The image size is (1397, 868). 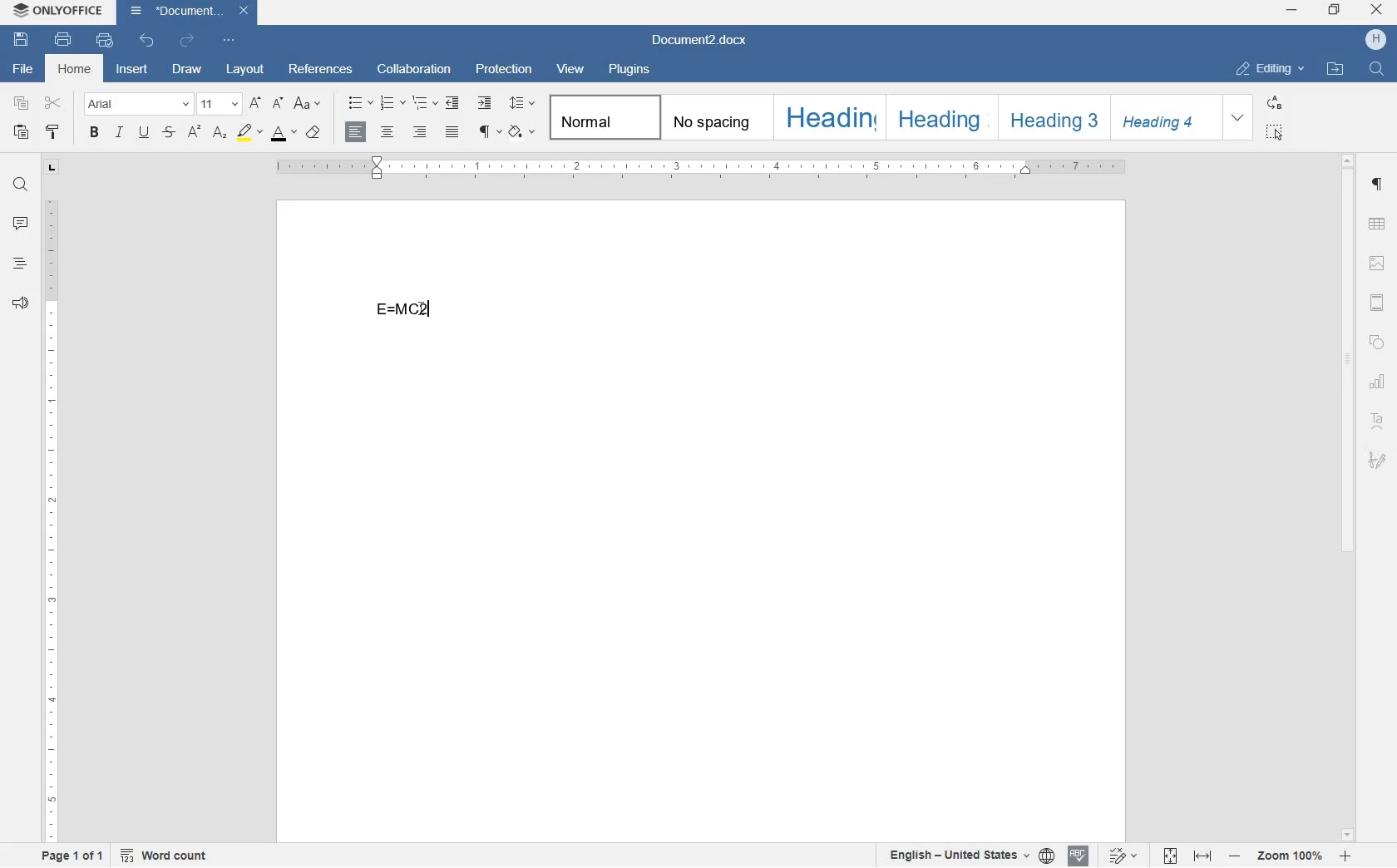 What do you see at coordinates (1277, 131) in the screenshot?
I see `select all` at bounding box center [1277, 131].